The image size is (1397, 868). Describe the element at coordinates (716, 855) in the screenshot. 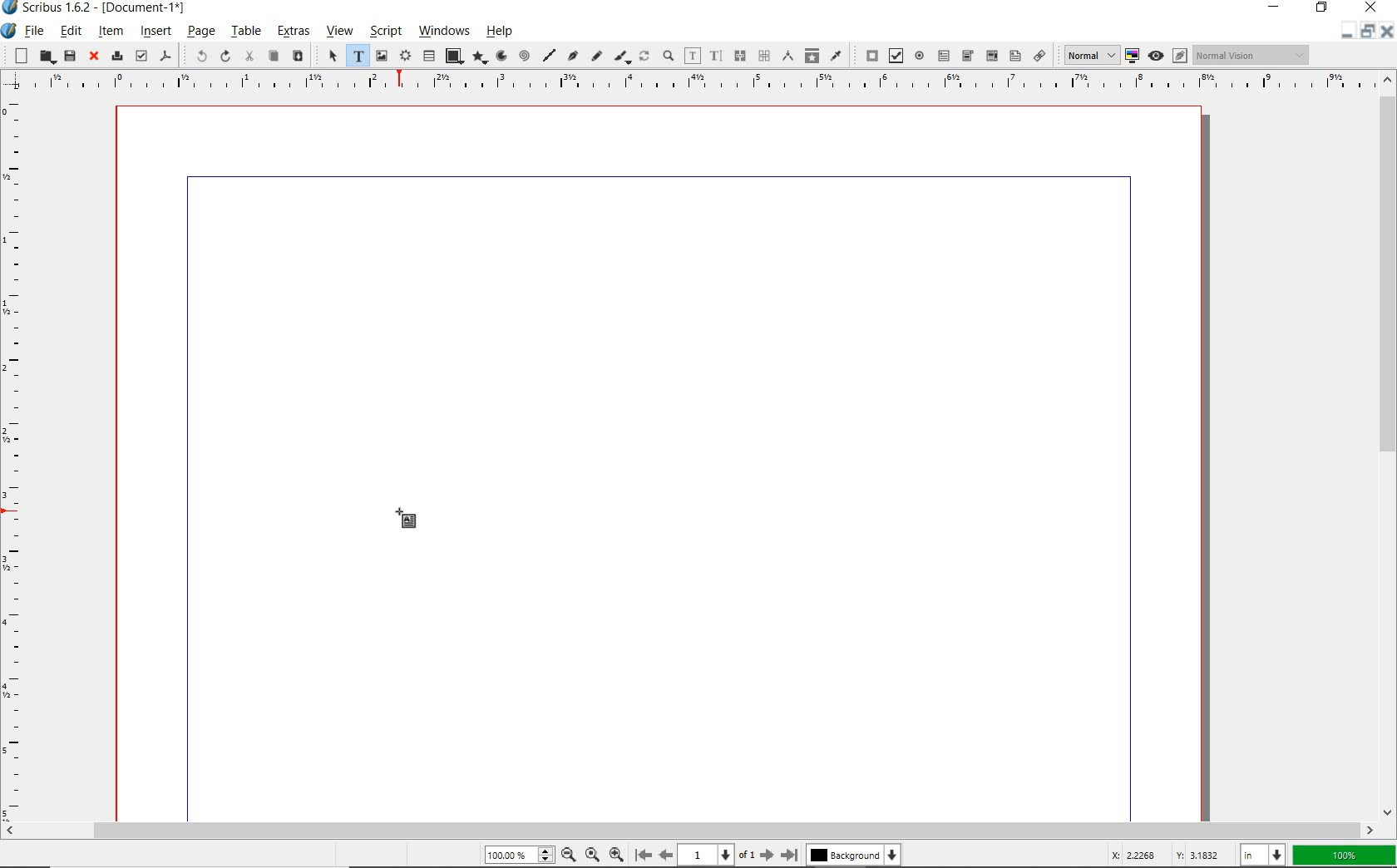

I see `1 of 1` at that location.